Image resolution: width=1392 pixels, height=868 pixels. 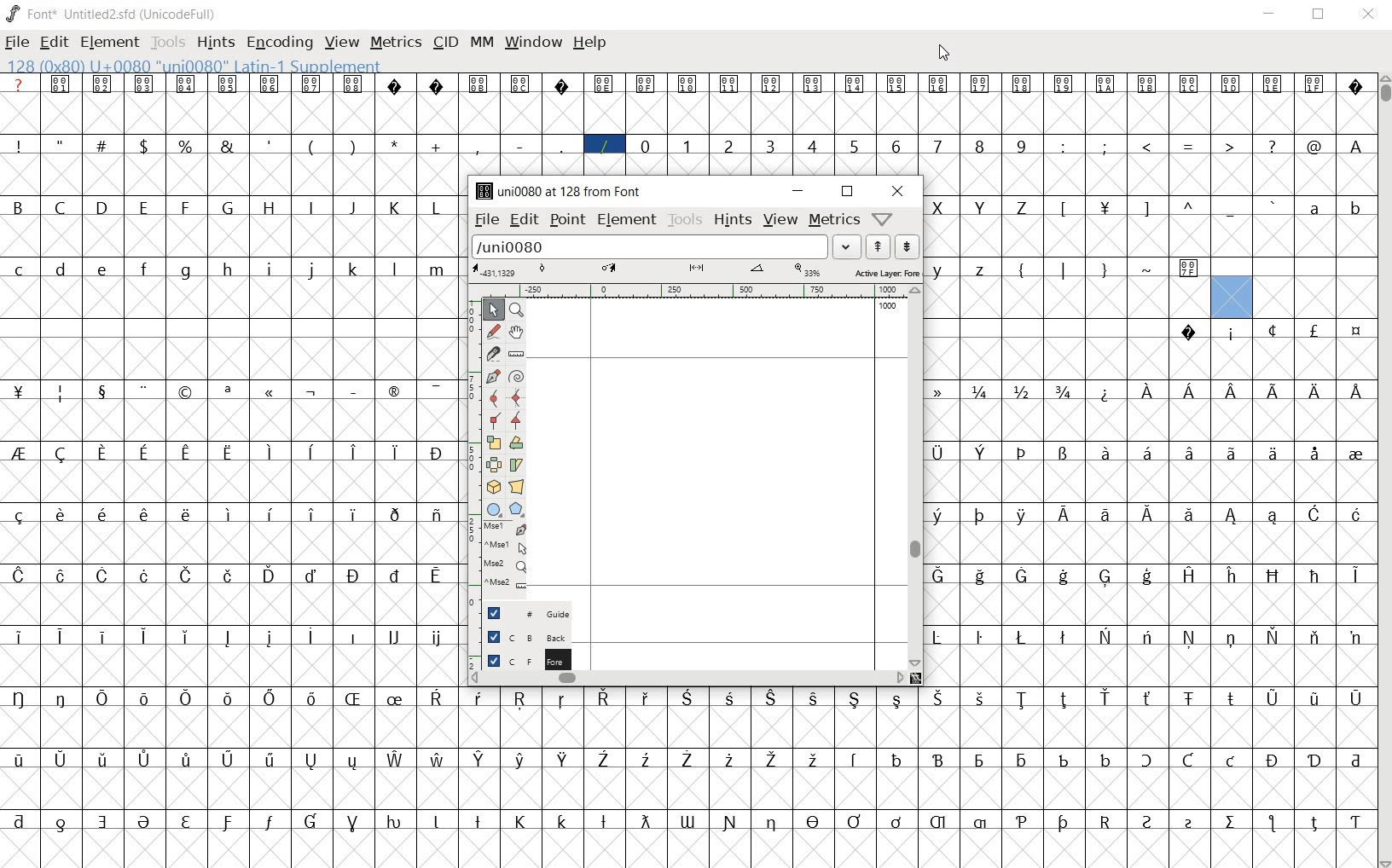 What do you see at coordinates (310, 84) in the screenshot?
I see `glyph` at bounding box center [310, 84].